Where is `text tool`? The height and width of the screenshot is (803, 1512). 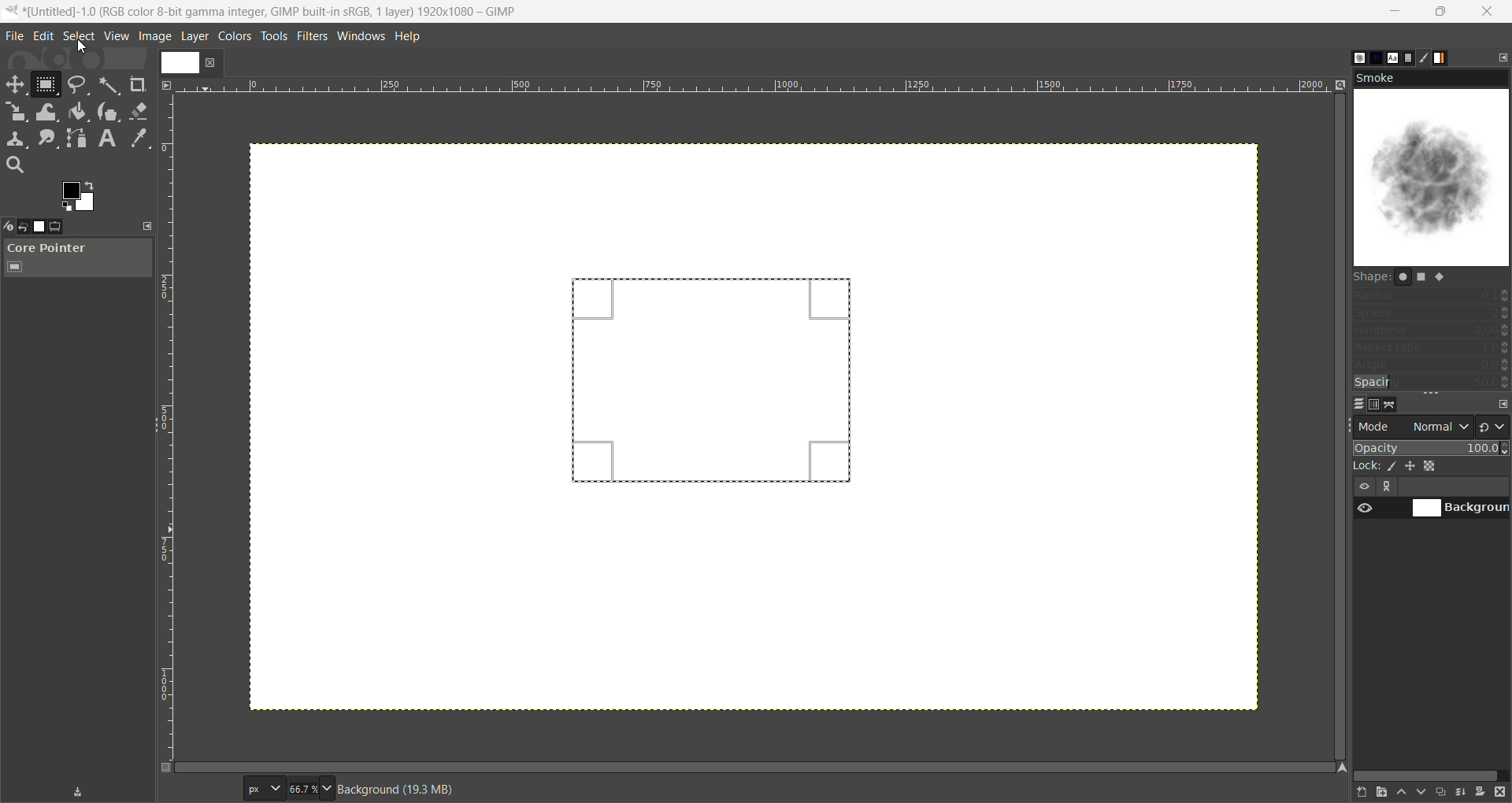
text tool is located at coordinates (105, 139).